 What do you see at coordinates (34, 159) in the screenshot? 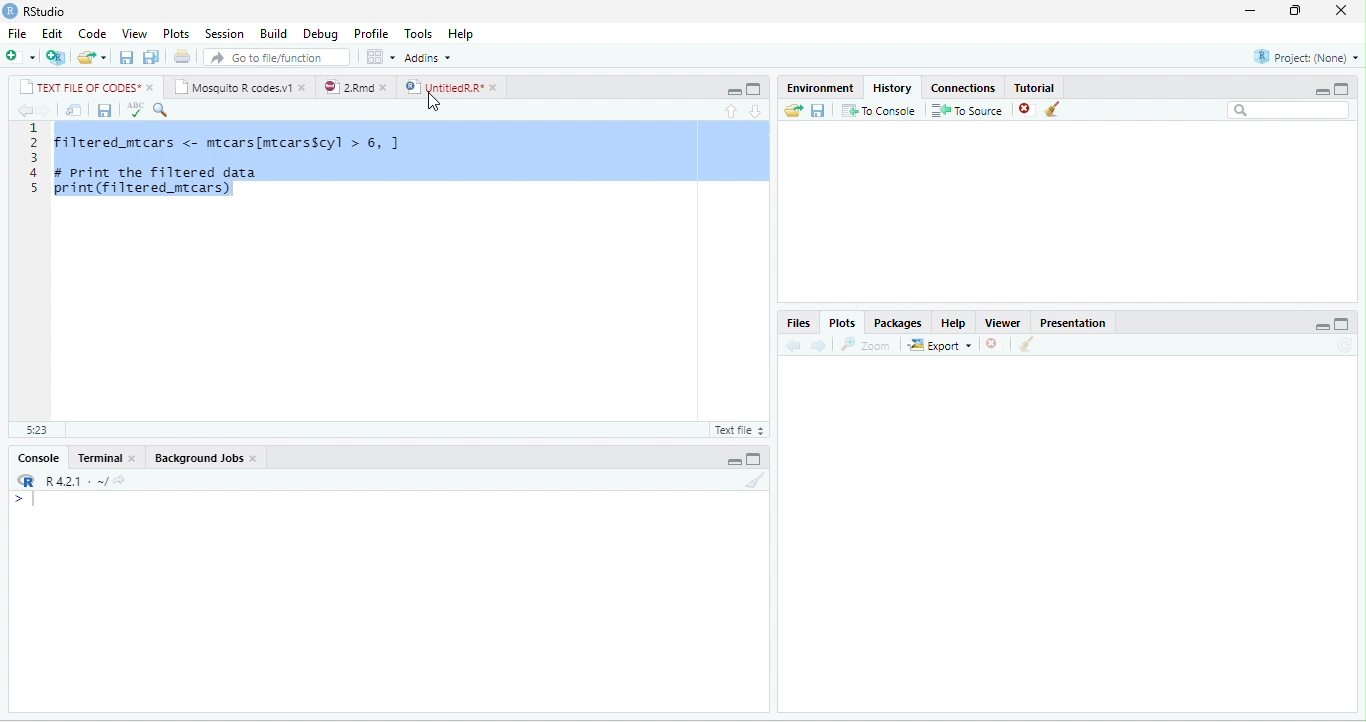
I see `line numbering` at bounding box center [34, 159].